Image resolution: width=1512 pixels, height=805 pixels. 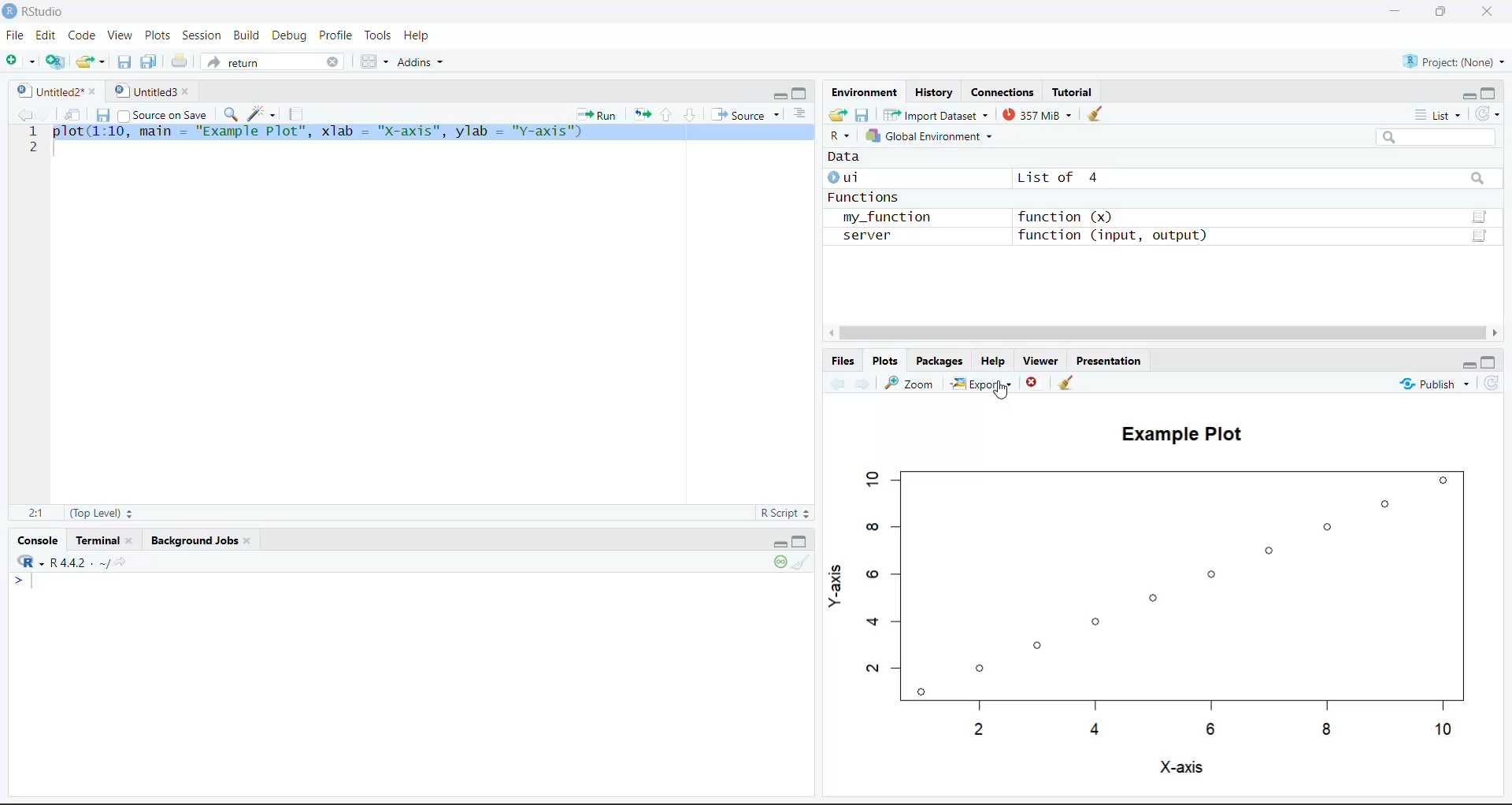 What do you see at coordinates (1038, 114) in the screenshot?
I see `357kib used by R session (Source: Windows System)` at bounding box center [1038, 114].